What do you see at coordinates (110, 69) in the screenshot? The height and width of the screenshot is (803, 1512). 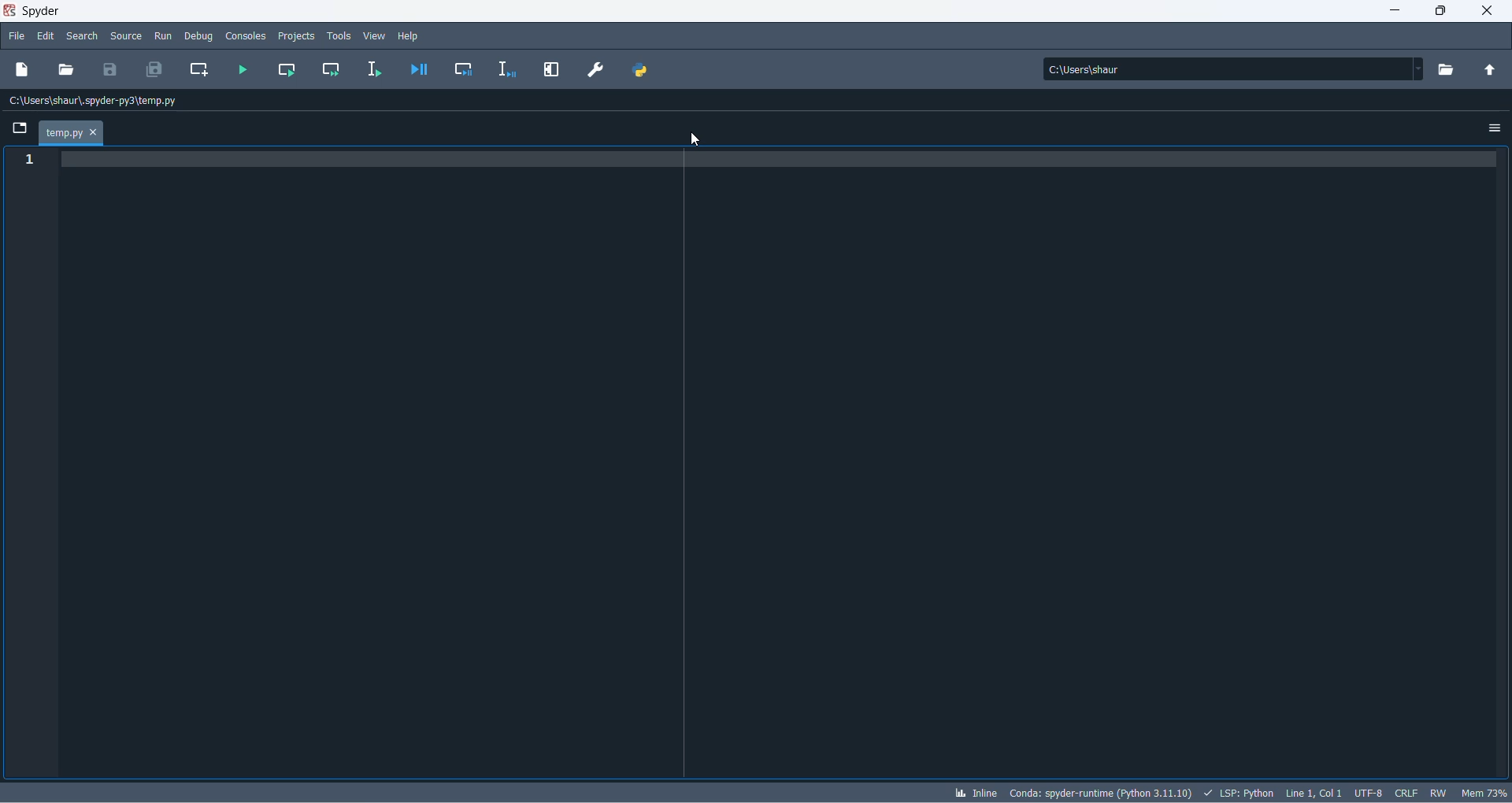 I see `save` at bounding box center [110, 69].